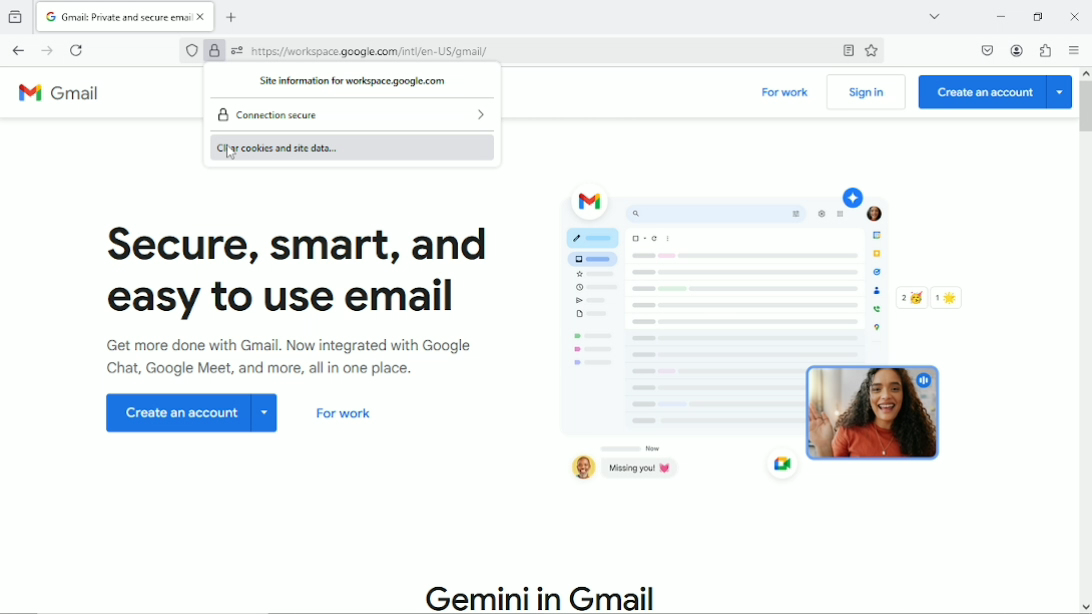  Describe the element at coordinates (235, 17) in the screenshot. I see `New tab` at that location.